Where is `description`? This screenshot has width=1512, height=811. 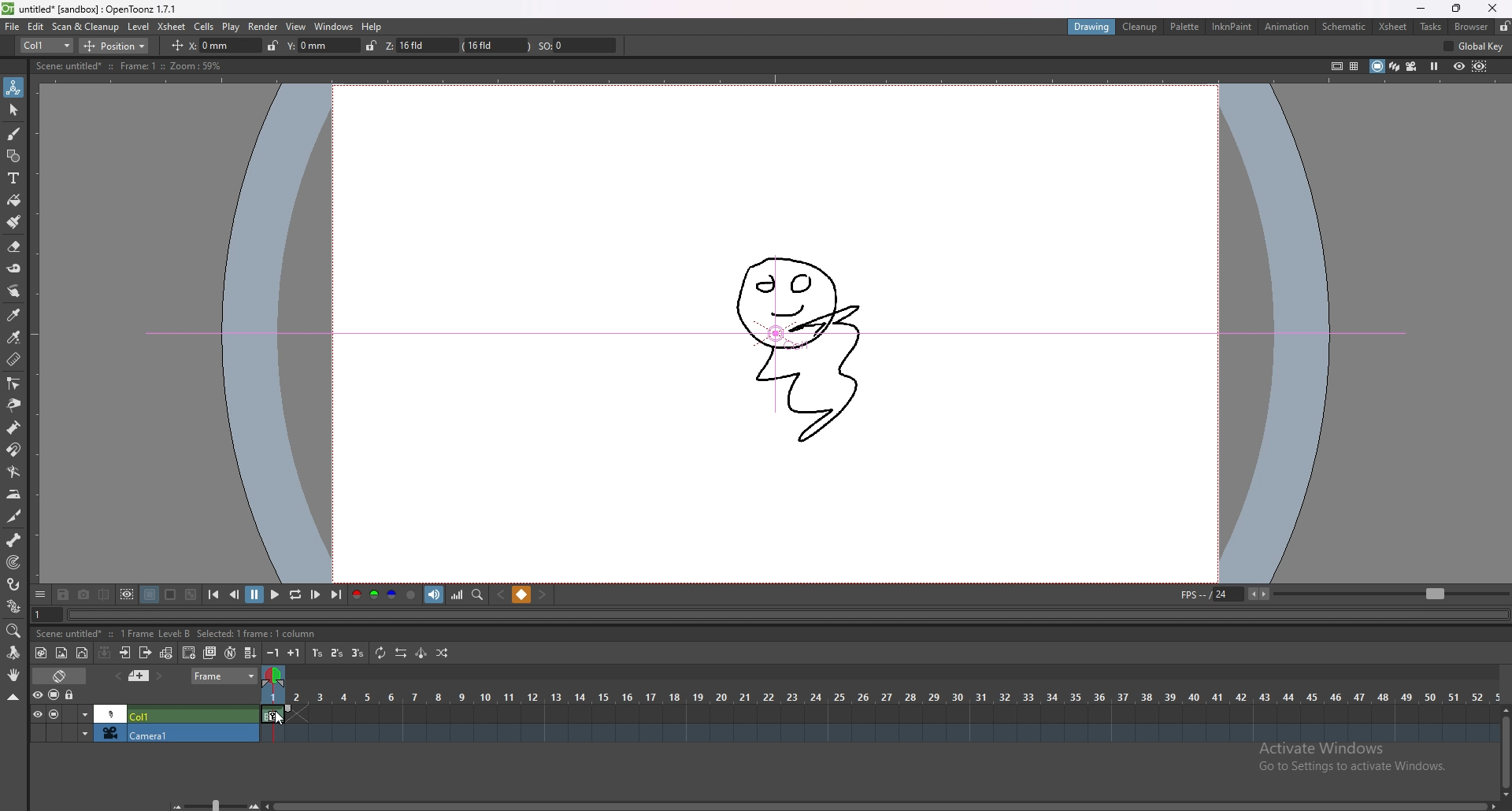 description is located at coordinates (127, 65).